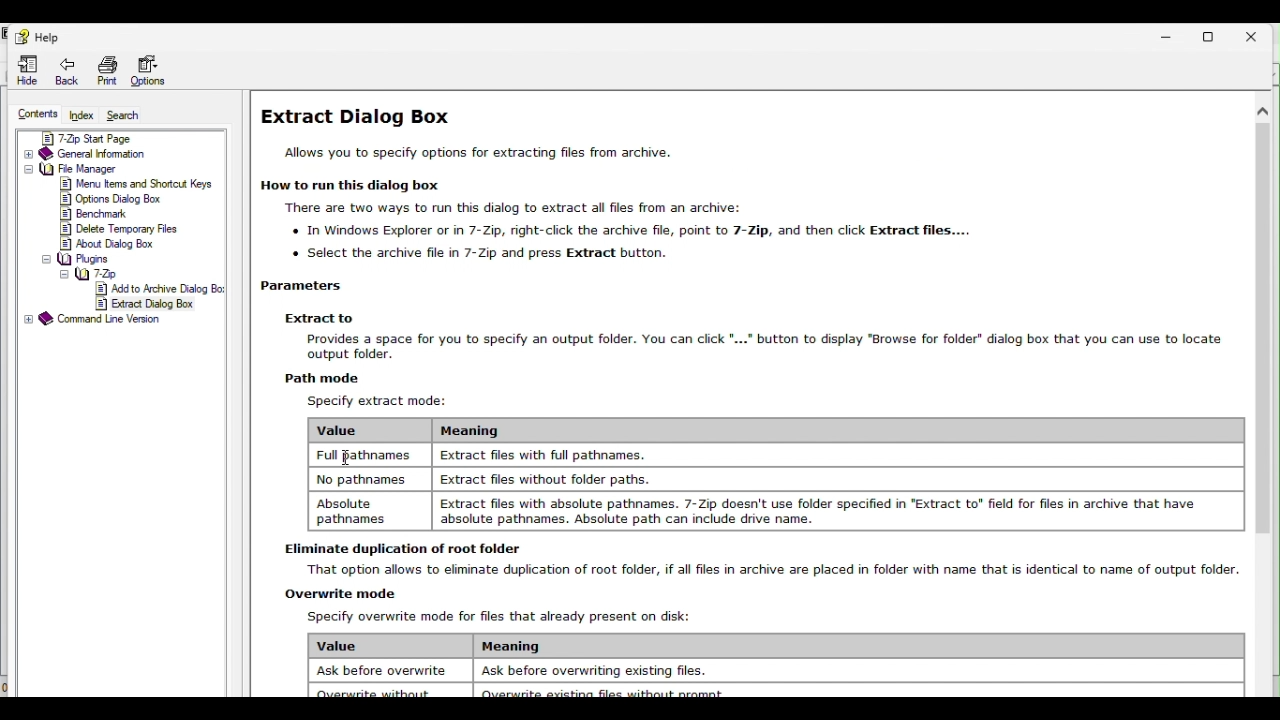 Image resolution: width=1280 pixels, height=720 pixels. What do you see at coordinates (600, 671) in the screenshot?
I see `ask before` at bounding box center [600, 671].